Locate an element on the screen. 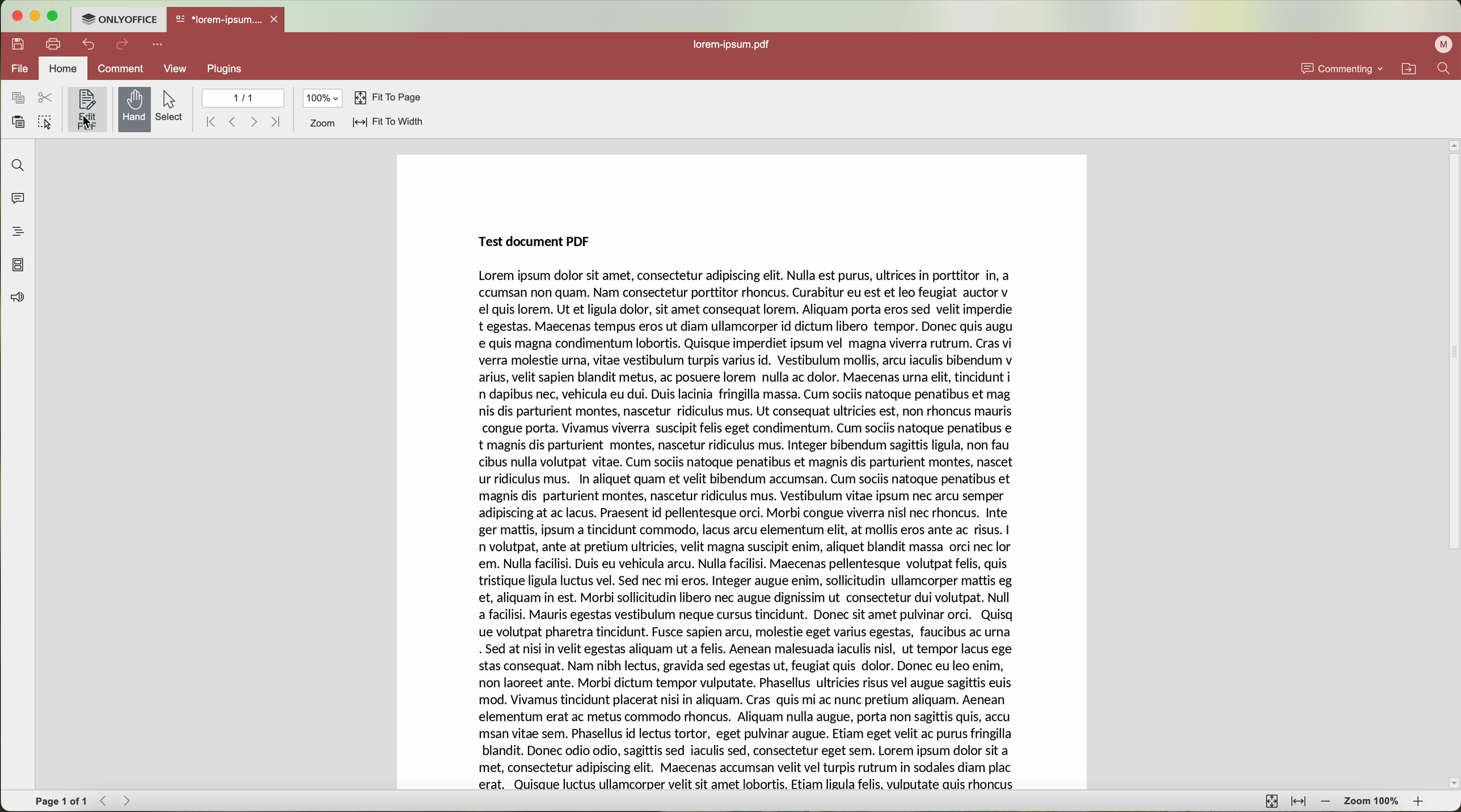  maximize is located at coordinates (54, 18).